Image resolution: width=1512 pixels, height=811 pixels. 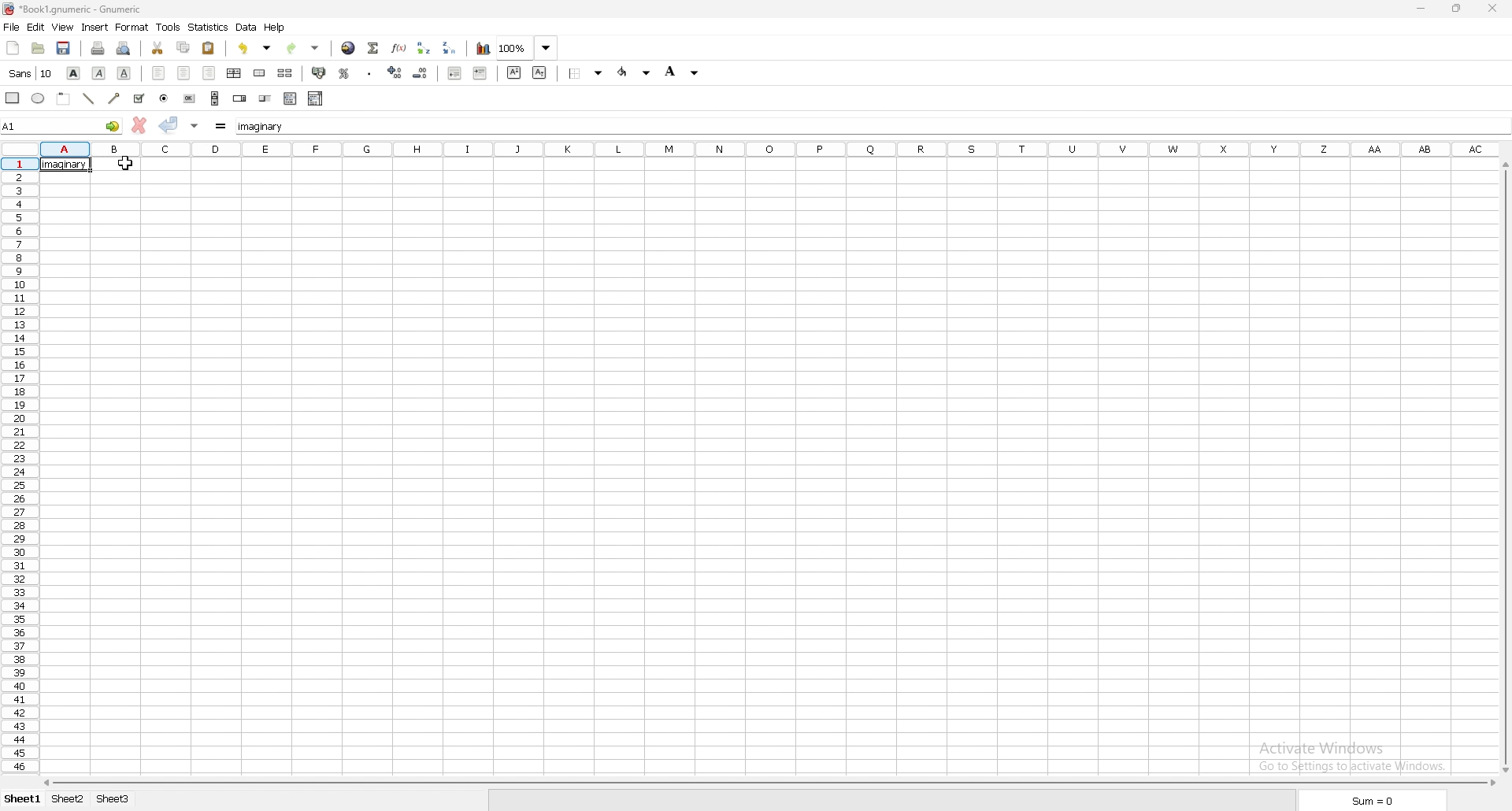 I want to click on accept changes in all cells, so click(x=194, y=126).